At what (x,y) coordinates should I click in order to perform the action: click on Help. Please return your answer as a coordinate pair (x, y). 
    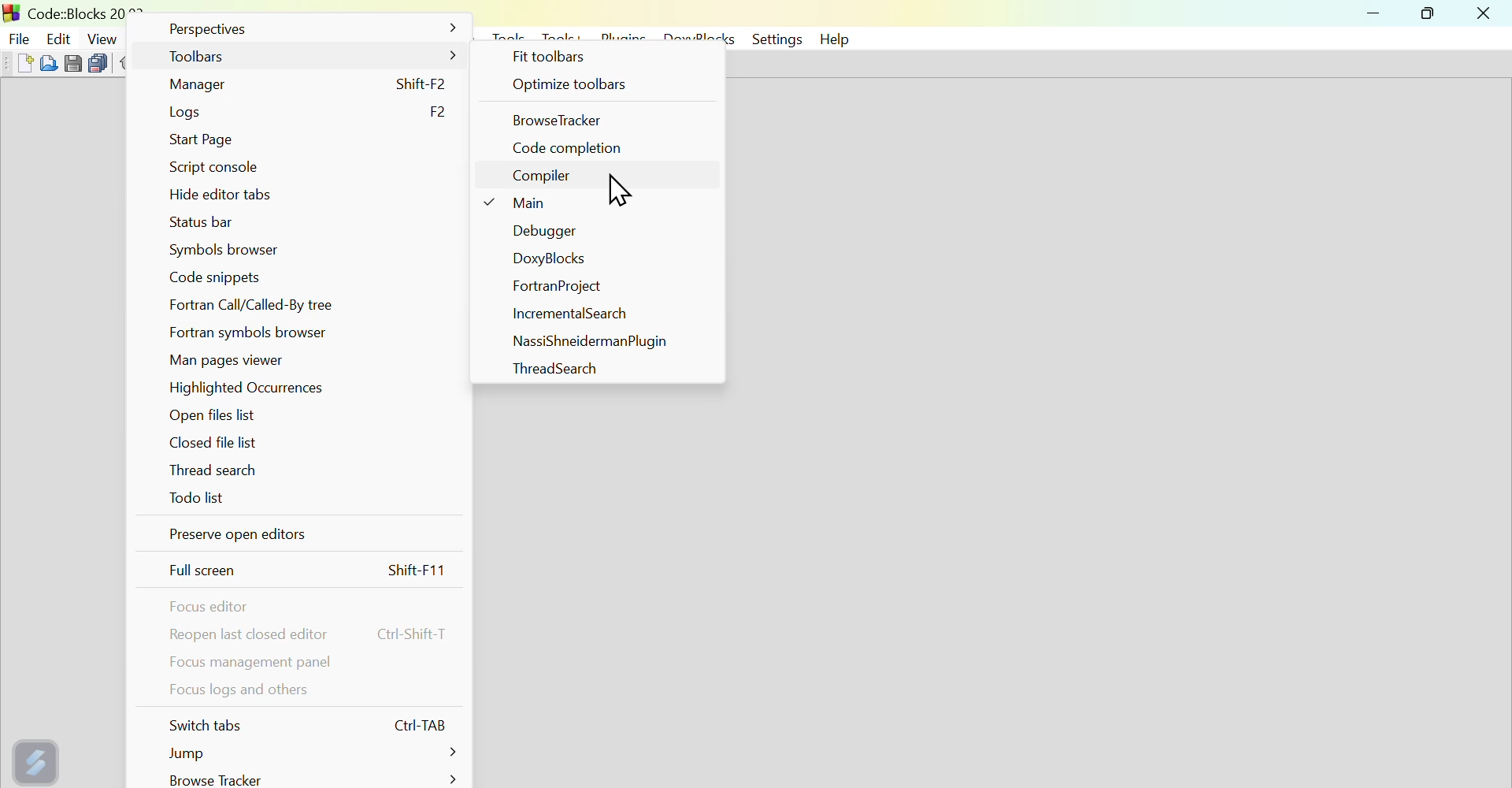
    Looking at the image, I should click on (838, 39).